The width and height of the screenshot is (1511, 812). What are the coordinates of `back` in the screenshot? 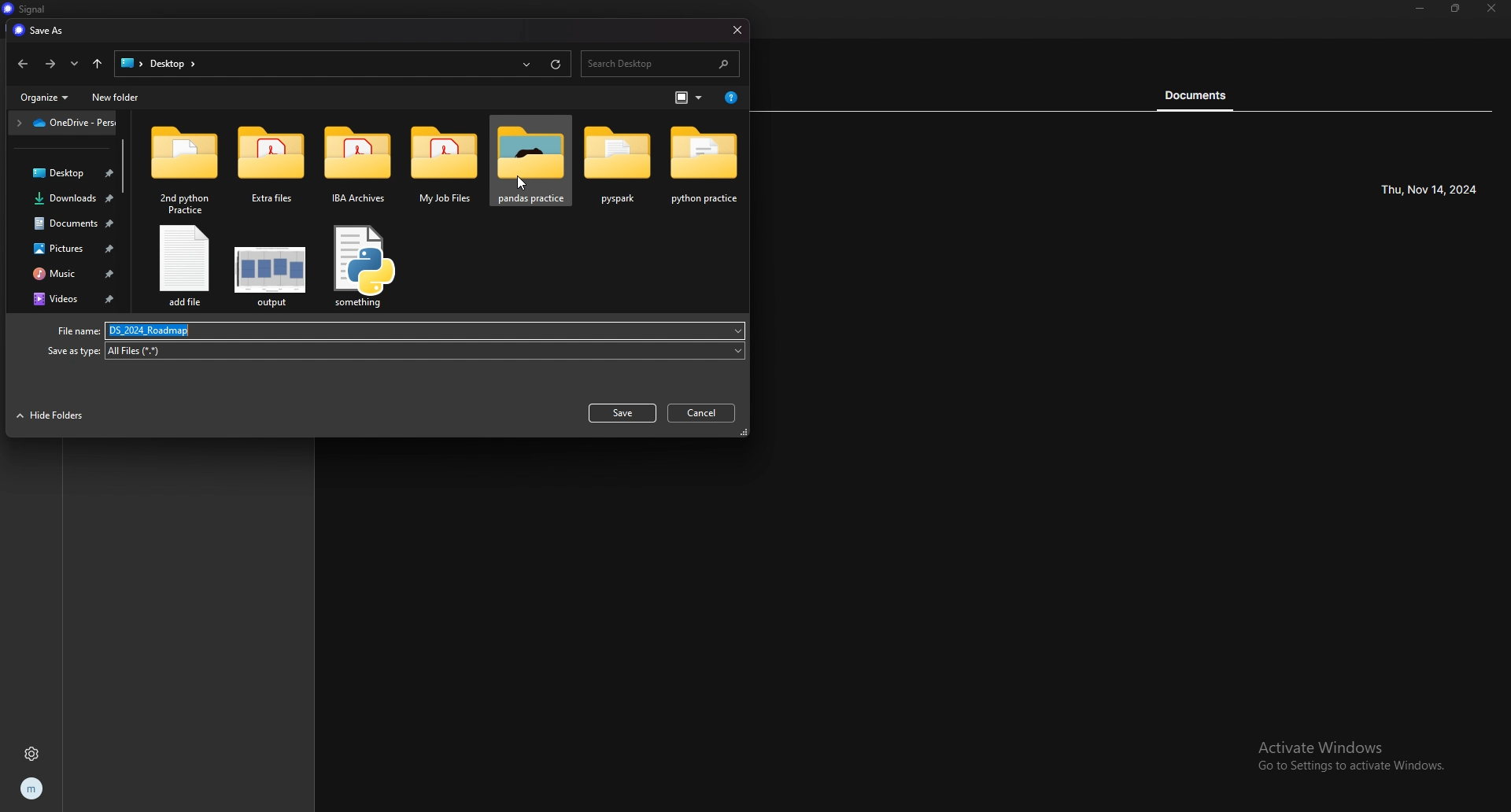 It's located at (21, 65).